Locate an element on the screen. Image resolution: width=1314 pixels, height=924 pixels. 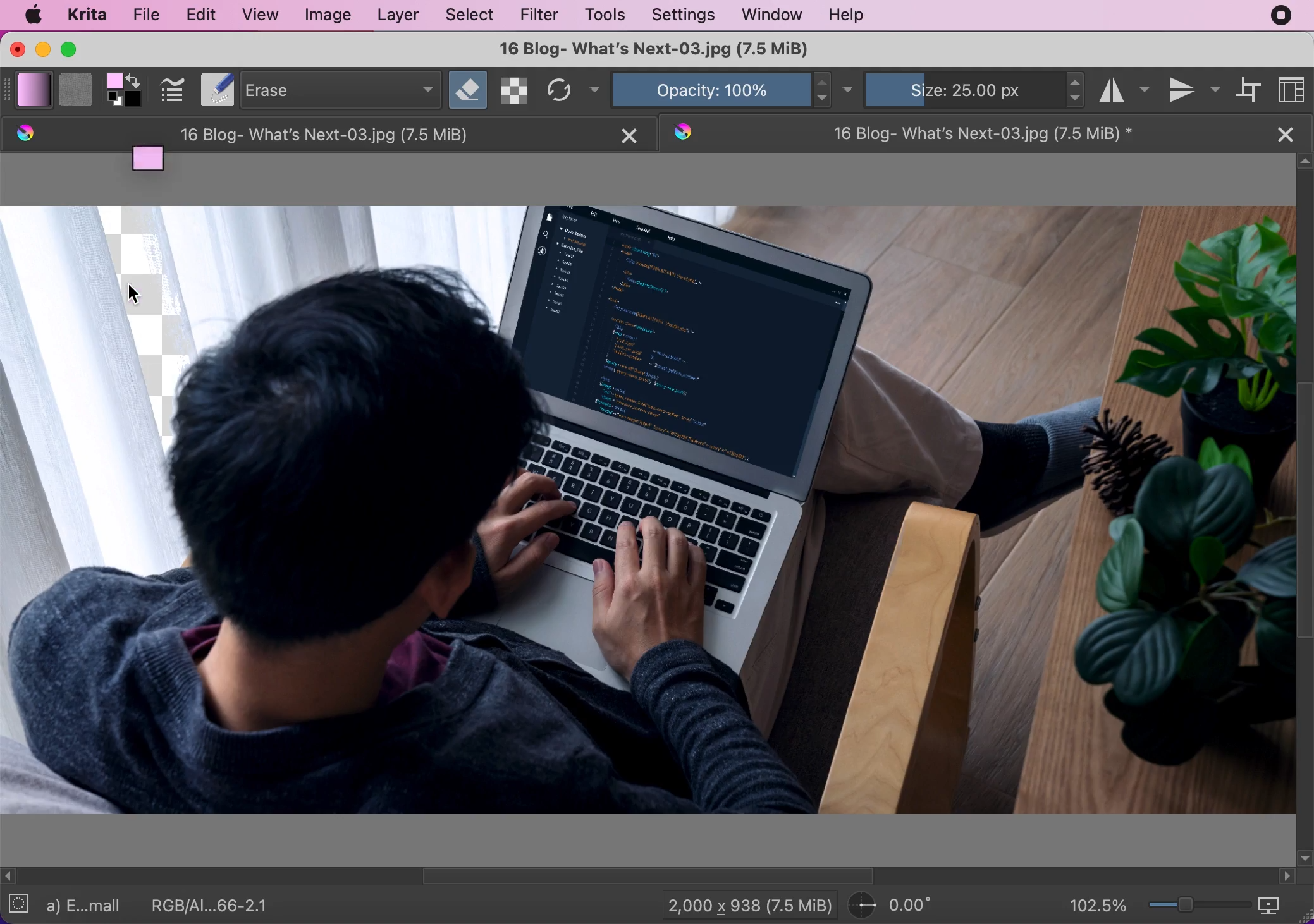
choose workspace is located at coordinates (1294, 89).